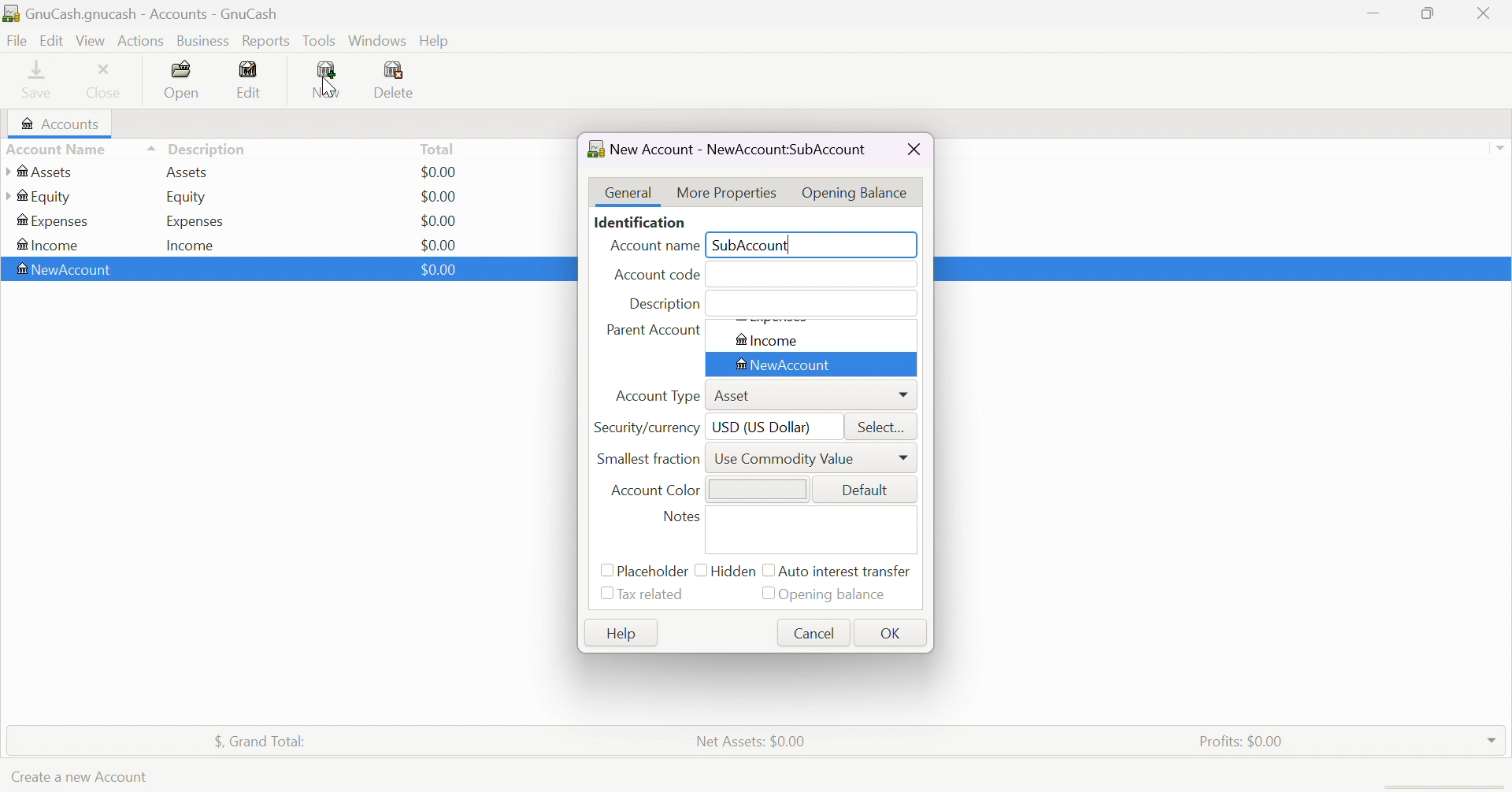 The height and width of the screenshot is (792, 1512). What do you see at coordinates (105, 83) in the screenshot?
I see `Close` at bounding box center [105, 83].